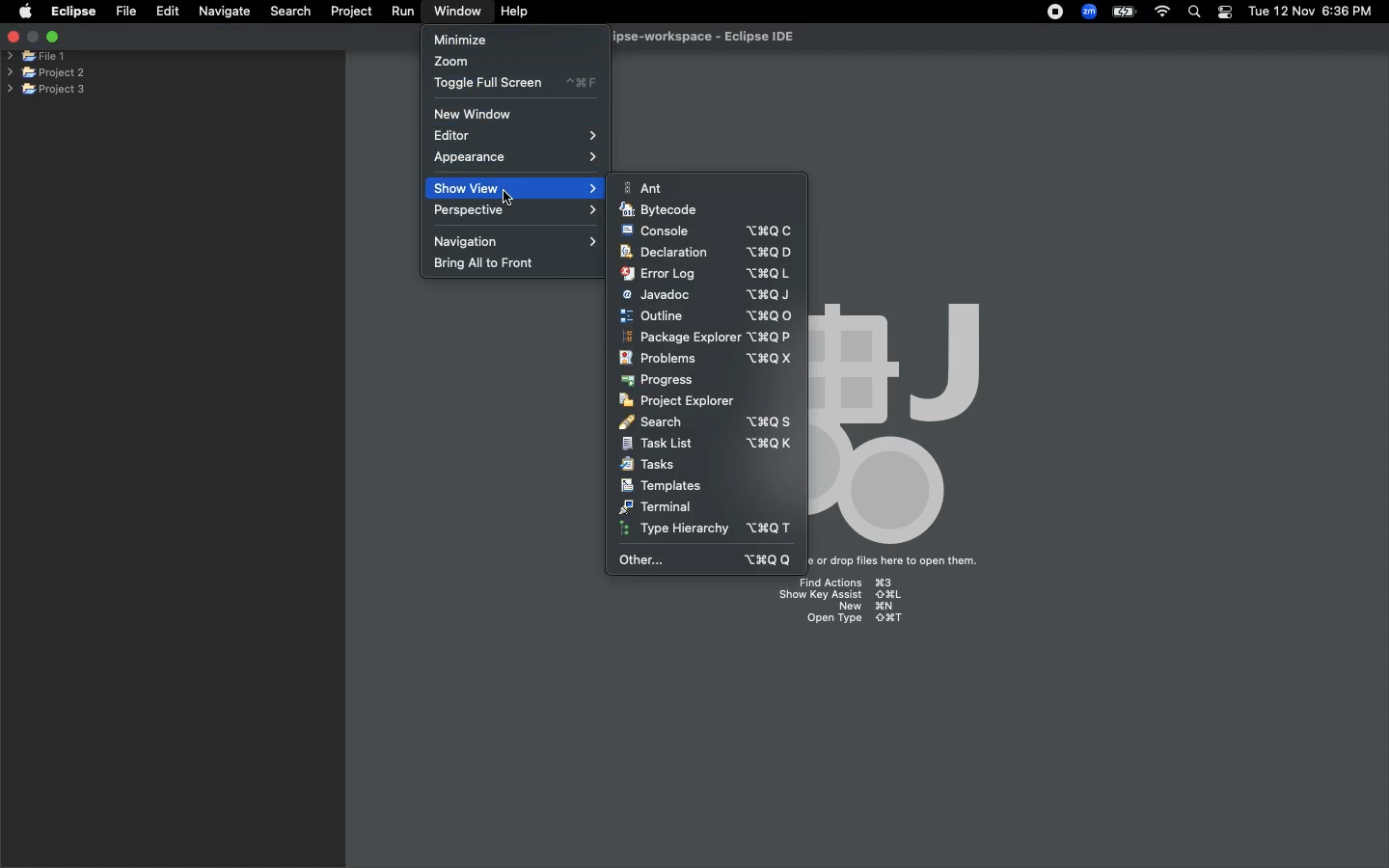  Describe the element at coordinates (510, 193) in the screenshot. I see `Clicking on show view` at that location.